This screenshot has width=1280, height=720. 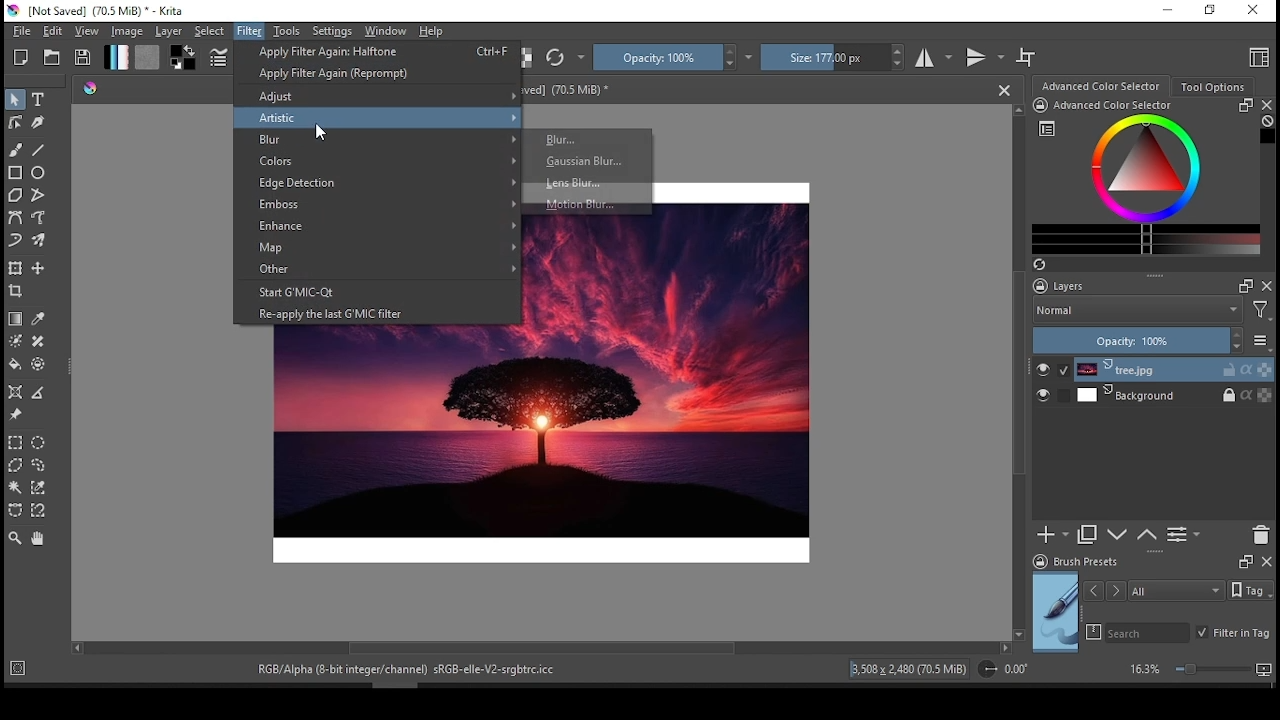 I want to click on opacity, so click(x=1136, y=339).